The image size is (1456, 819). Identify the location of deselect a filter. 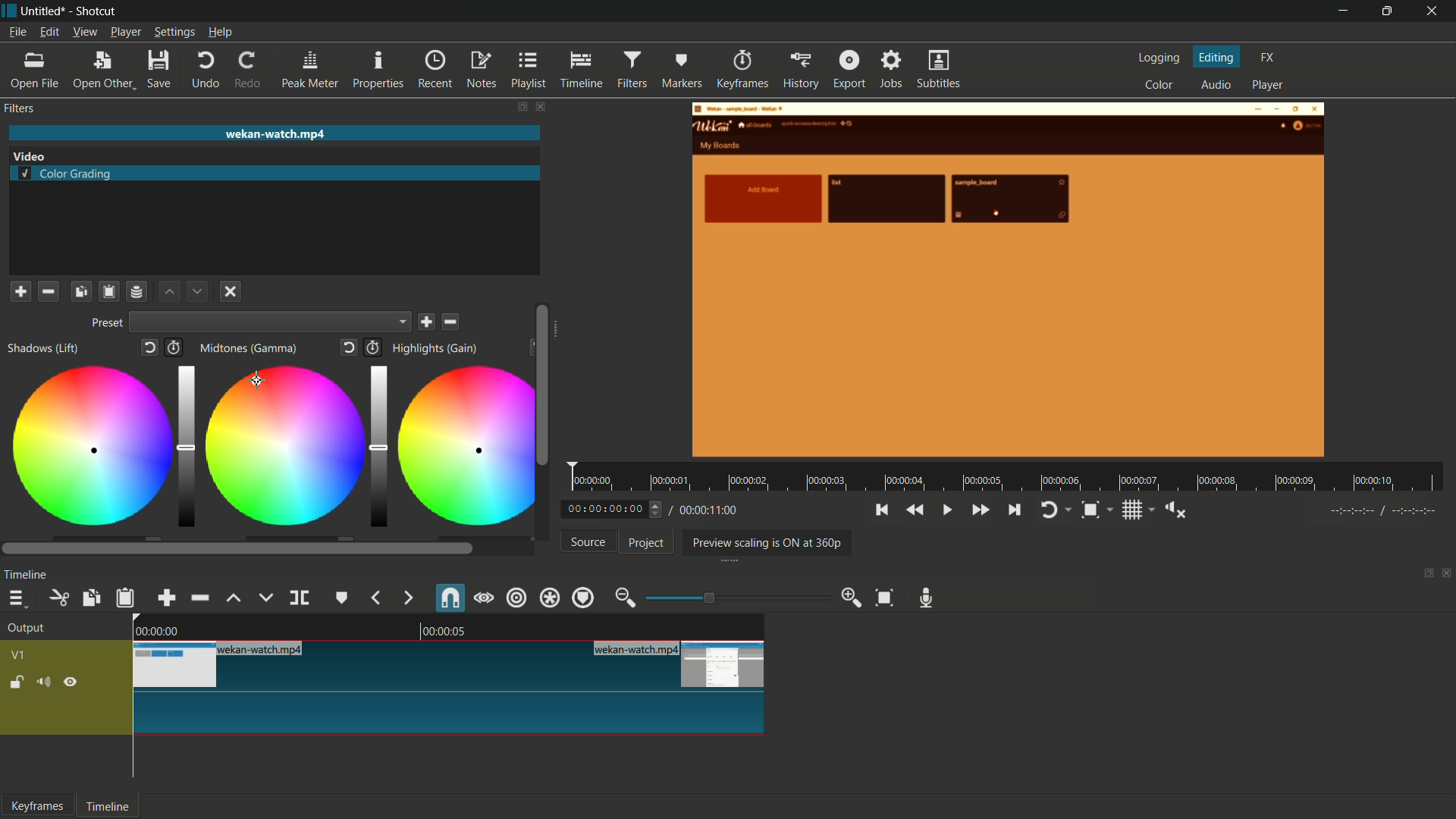
(231, 290).